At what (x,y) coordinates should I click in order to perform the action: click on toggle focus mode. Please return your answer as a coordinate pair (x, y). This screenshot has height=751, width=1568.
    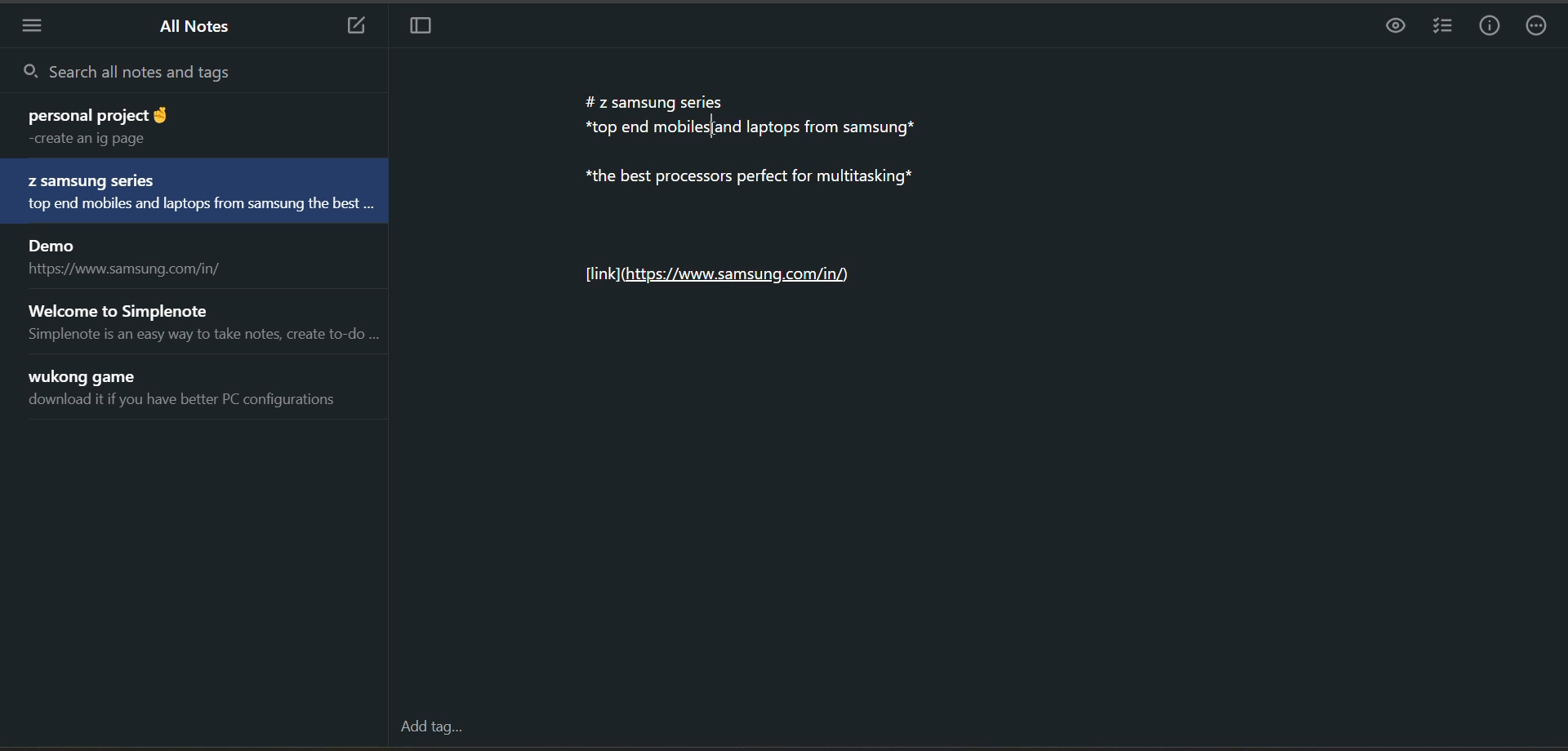
    Looking at the image, I should click on (429, 29).